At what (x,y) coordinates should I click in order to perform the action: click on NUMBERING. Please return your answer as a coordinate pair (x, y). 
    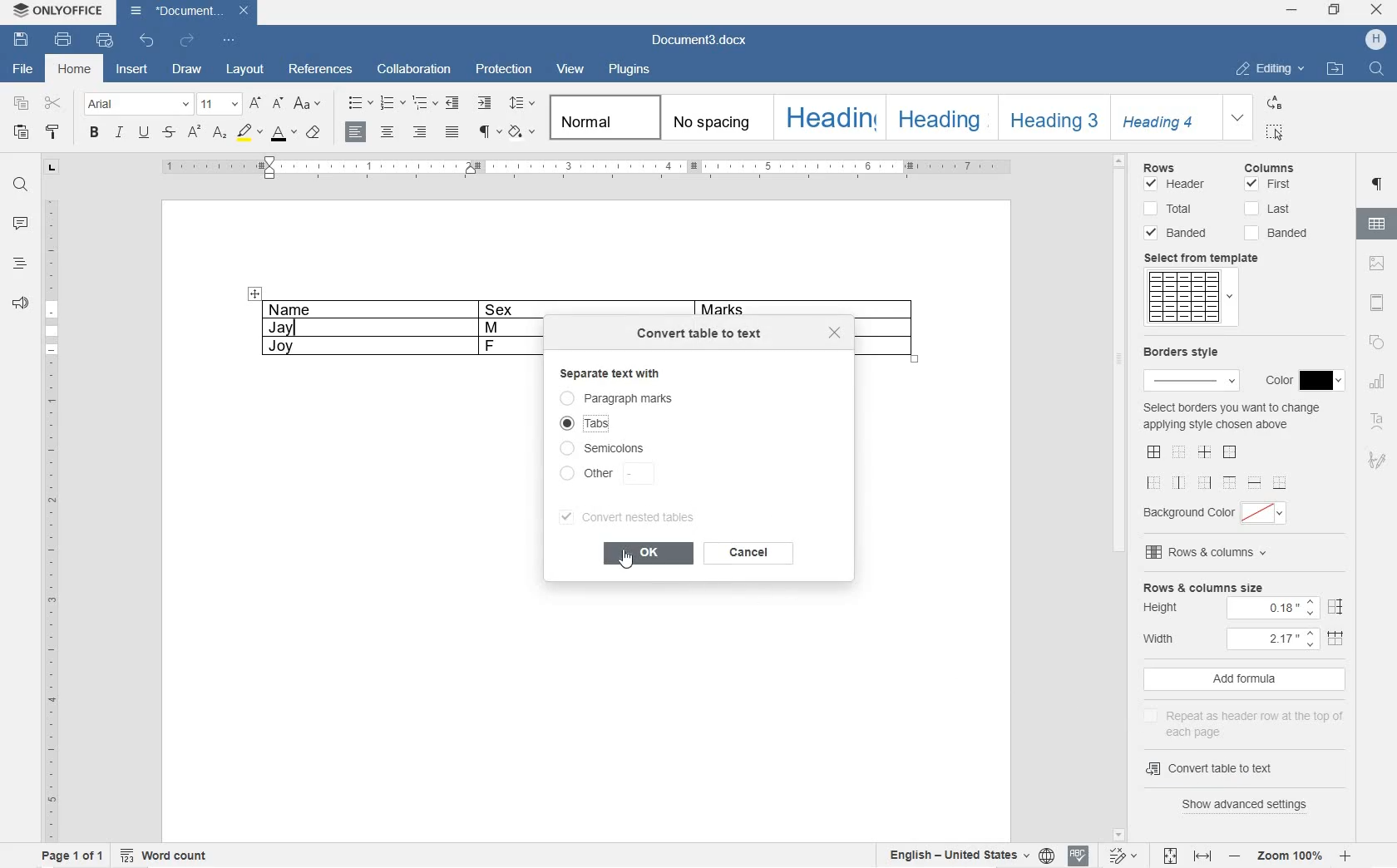
    Looking at the image, I should click on (392, 101).